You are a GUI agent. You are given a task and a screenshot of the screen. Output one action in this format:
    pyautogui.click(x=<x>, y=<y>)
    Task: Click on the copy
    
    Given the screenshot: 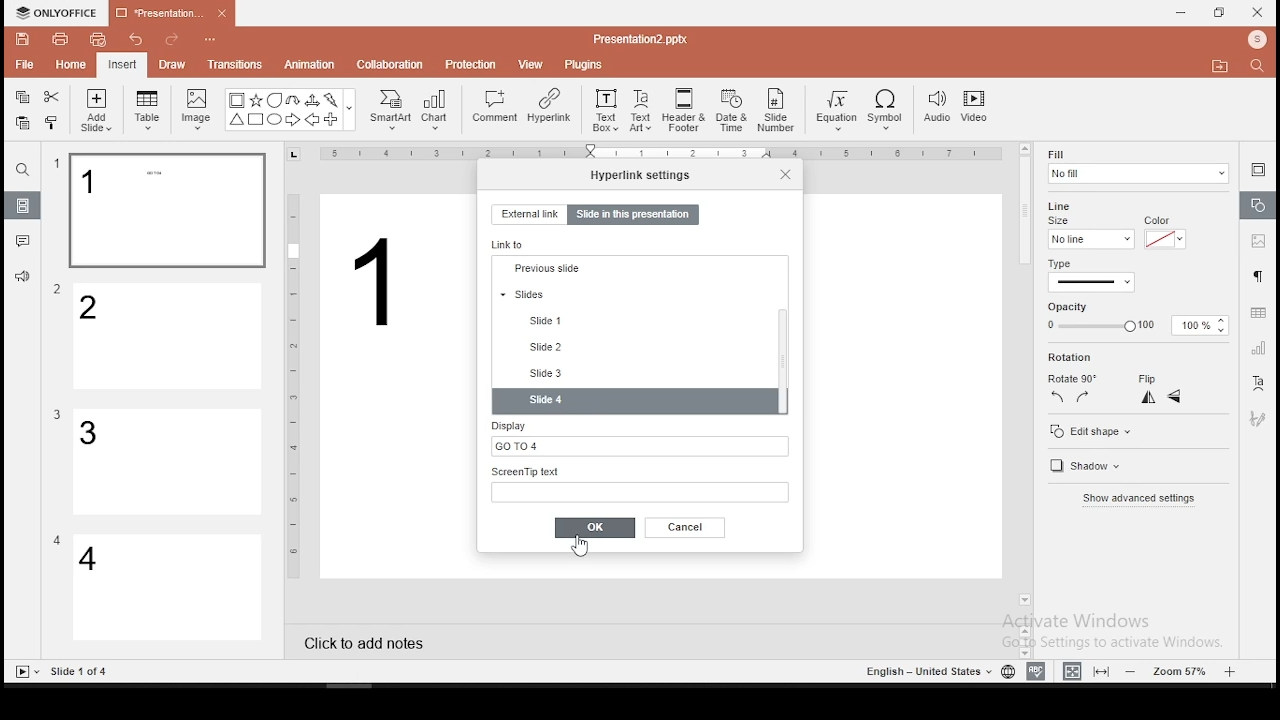 What is the action you would take?
    pyautogui.click(x=22, y=97)
    